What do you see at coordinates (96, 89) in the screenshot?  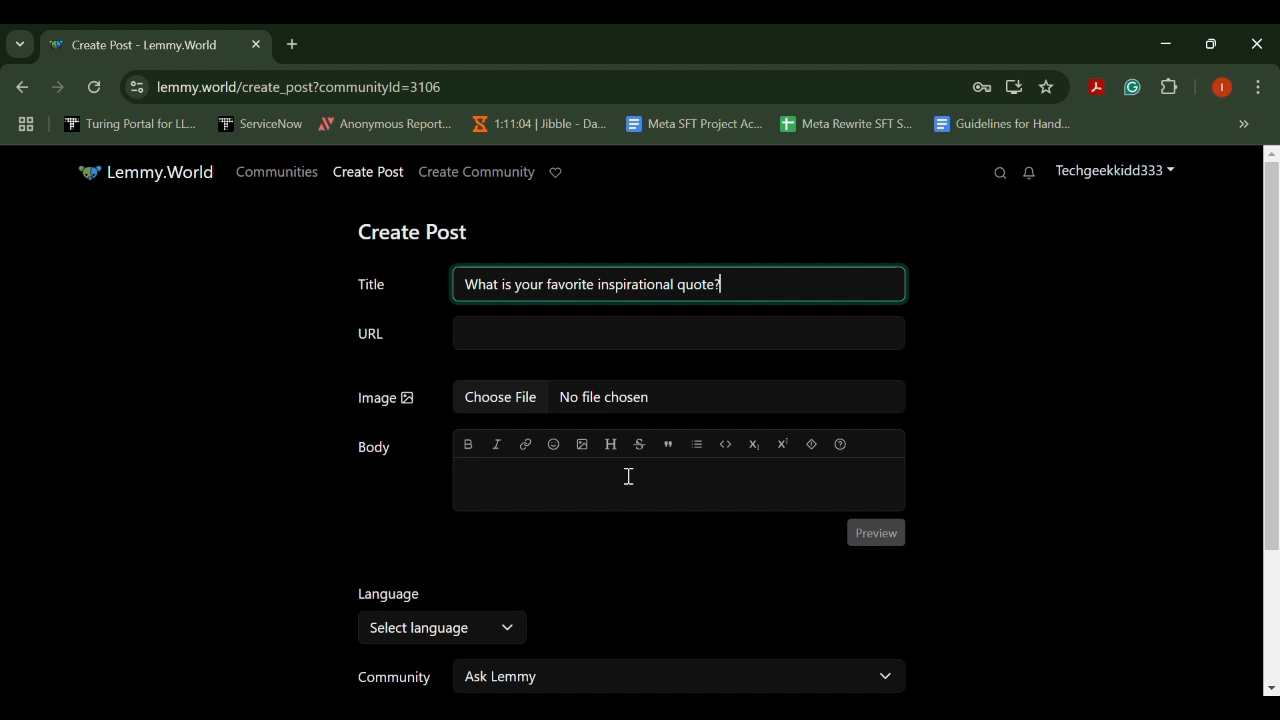 I see `Refresh Webpage` at bounding box center [96, 89].